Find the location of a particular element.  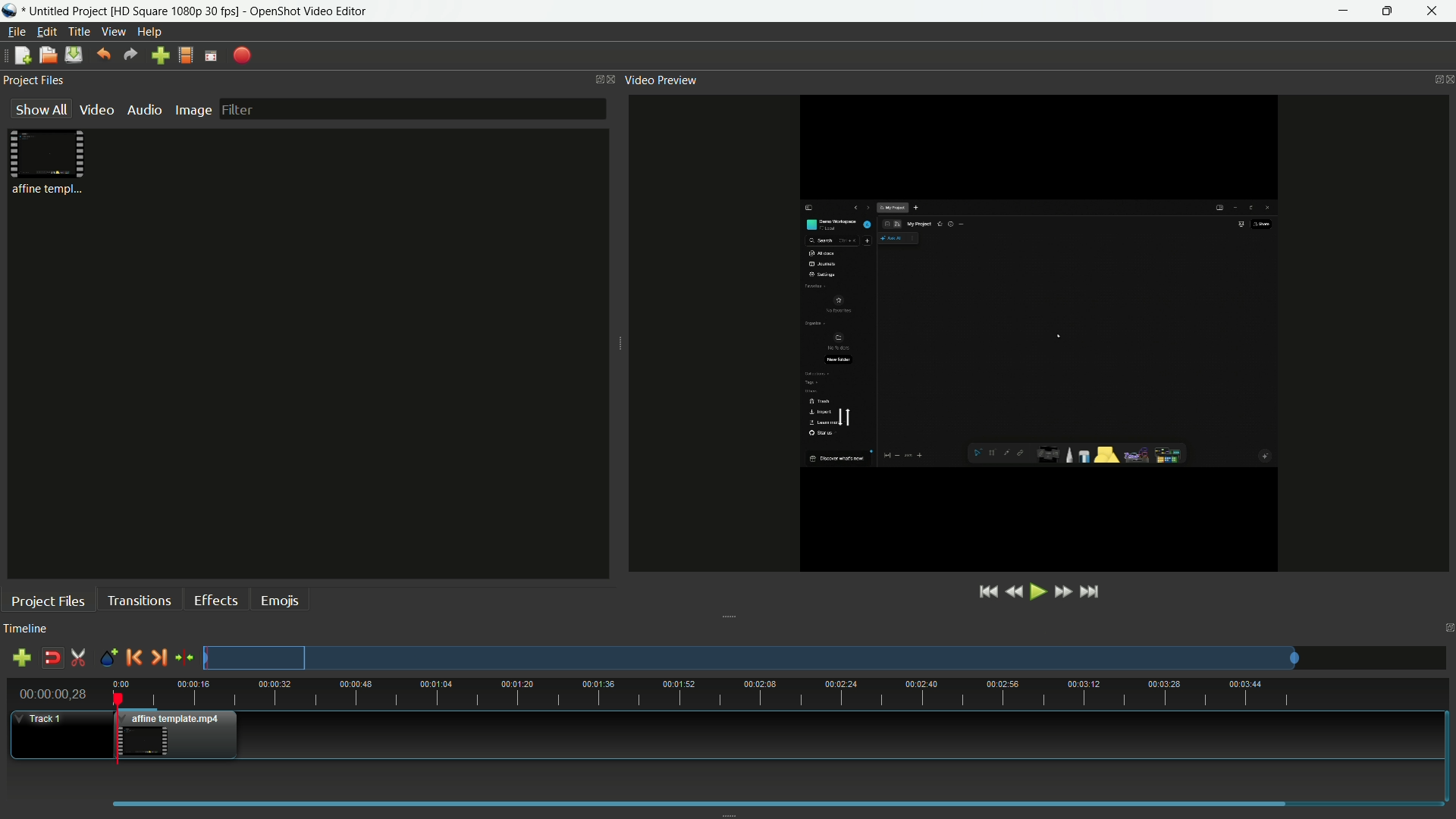

preview track is located at coordinates (750, 657).